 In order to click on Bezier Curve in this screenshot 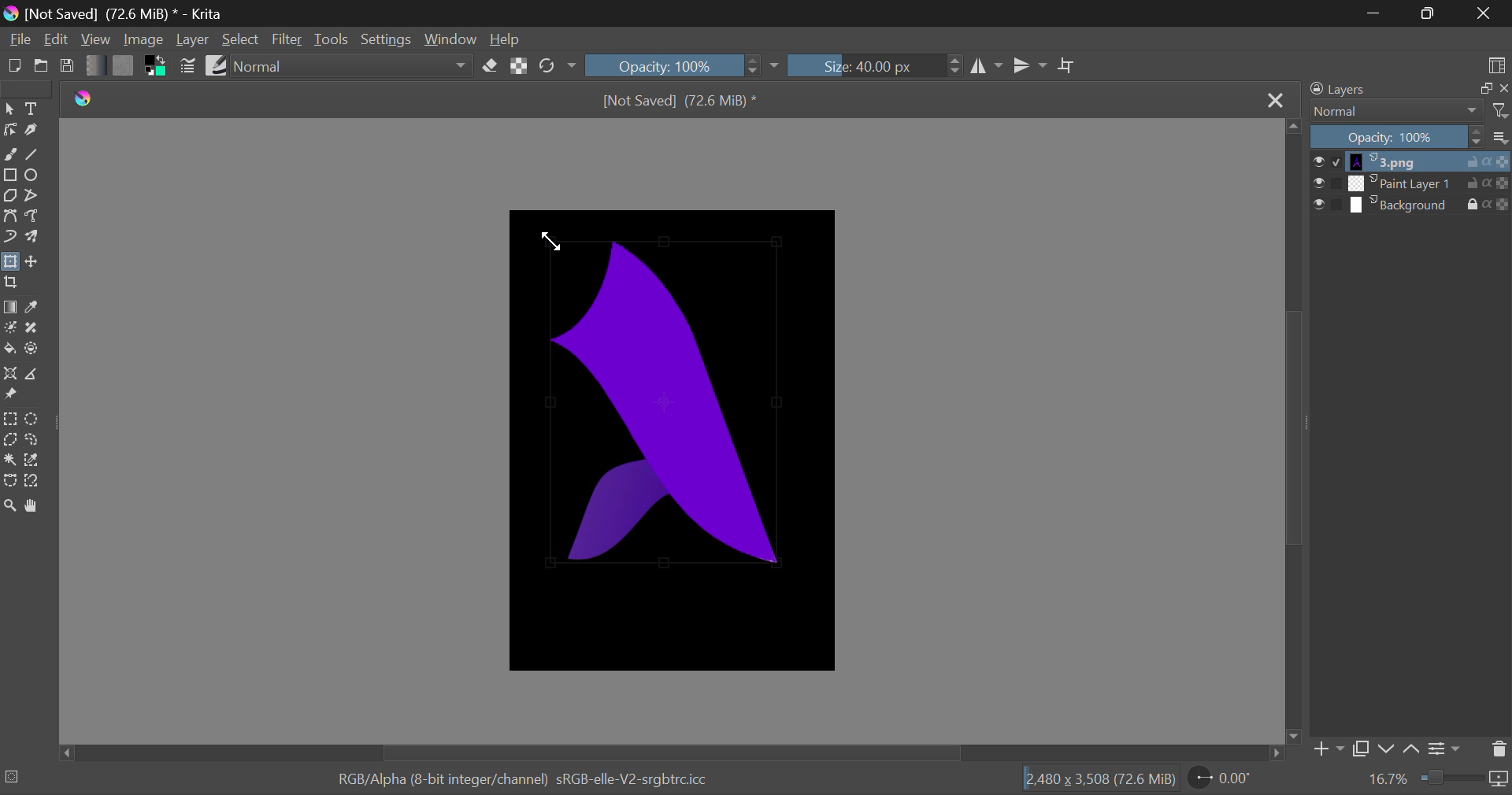, I will do `click(9, 216)`.